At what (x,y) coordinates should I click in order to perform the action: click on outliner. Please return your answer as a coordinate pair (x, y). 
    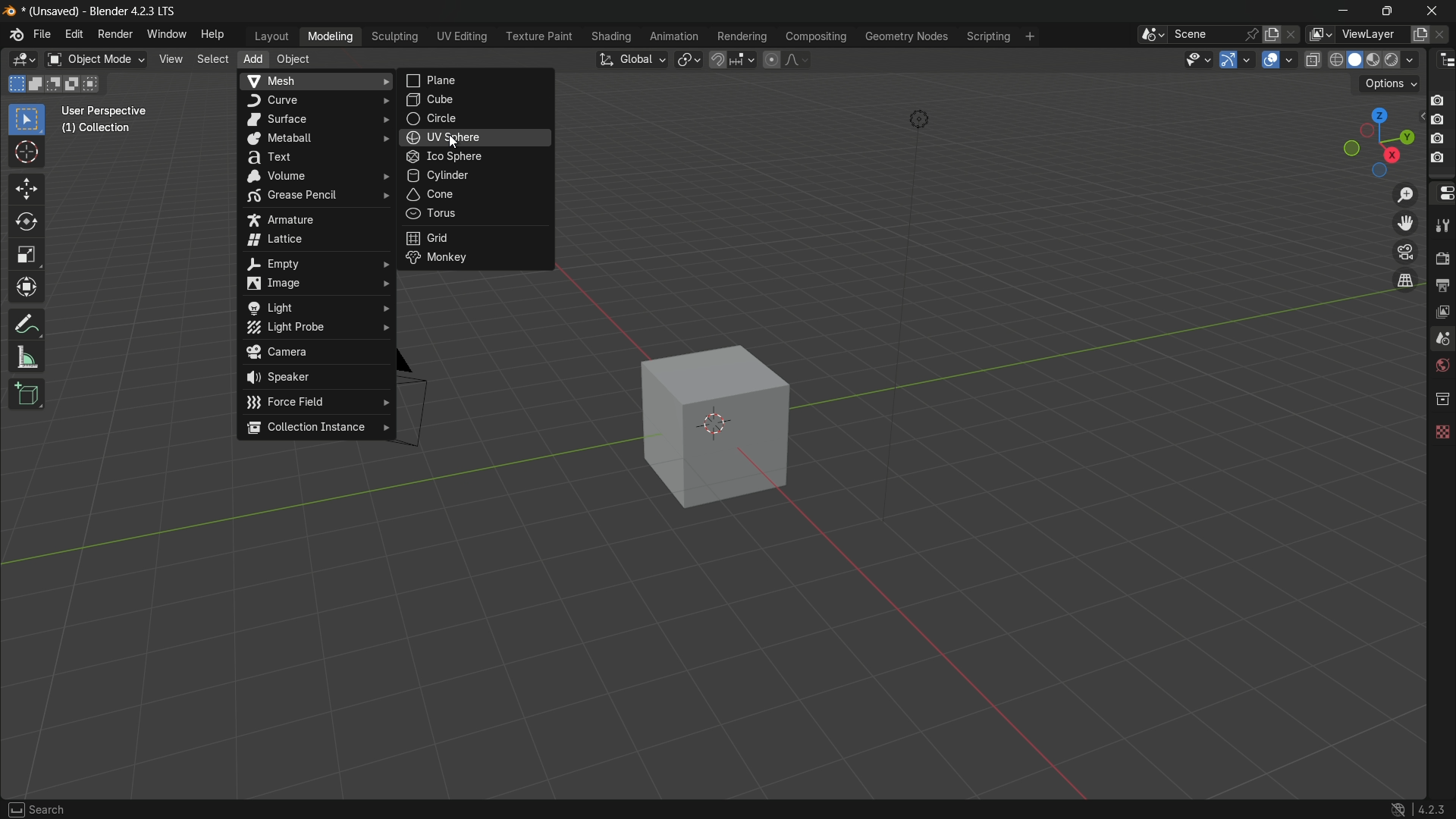
    Looking at the image, I should click on (1441, 61).